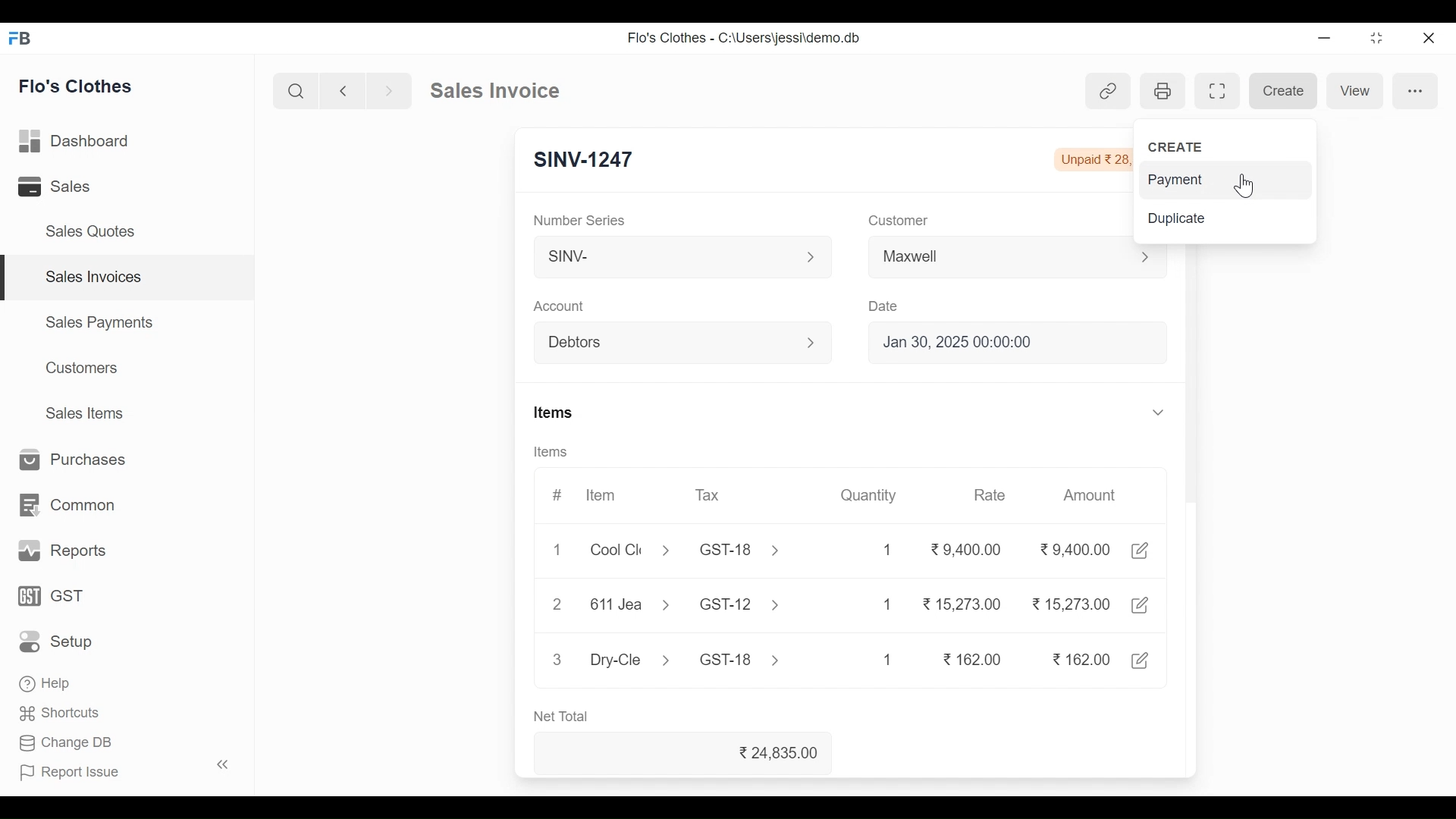 The image size is (1456, 819). What do you see at coordinates (1377, 39) in the screenshot?
I see `Restore` at bounding box center [1377, 39].